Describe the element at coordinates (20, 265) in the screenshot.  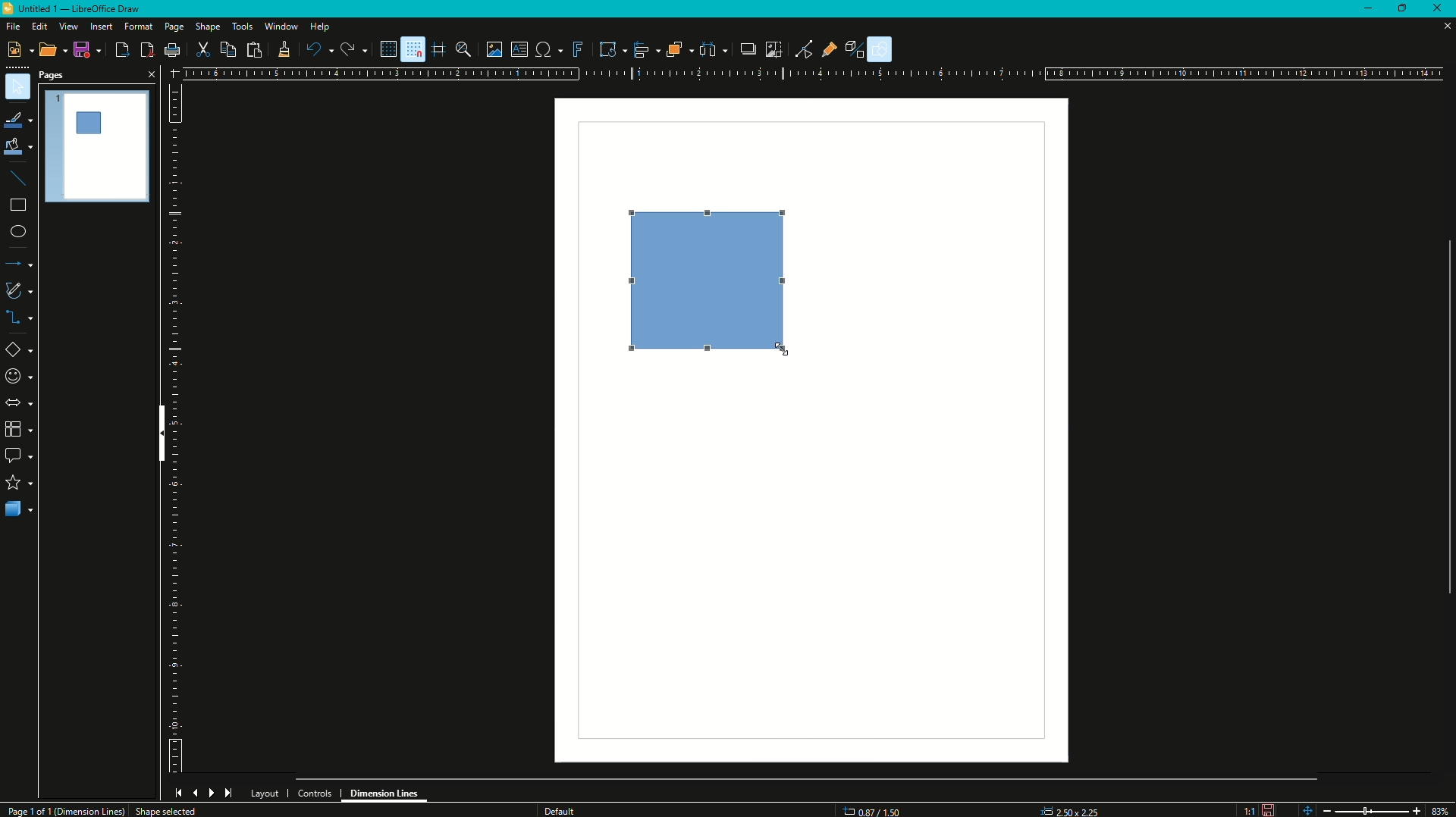
I see `Lines and Arrows` at that location.